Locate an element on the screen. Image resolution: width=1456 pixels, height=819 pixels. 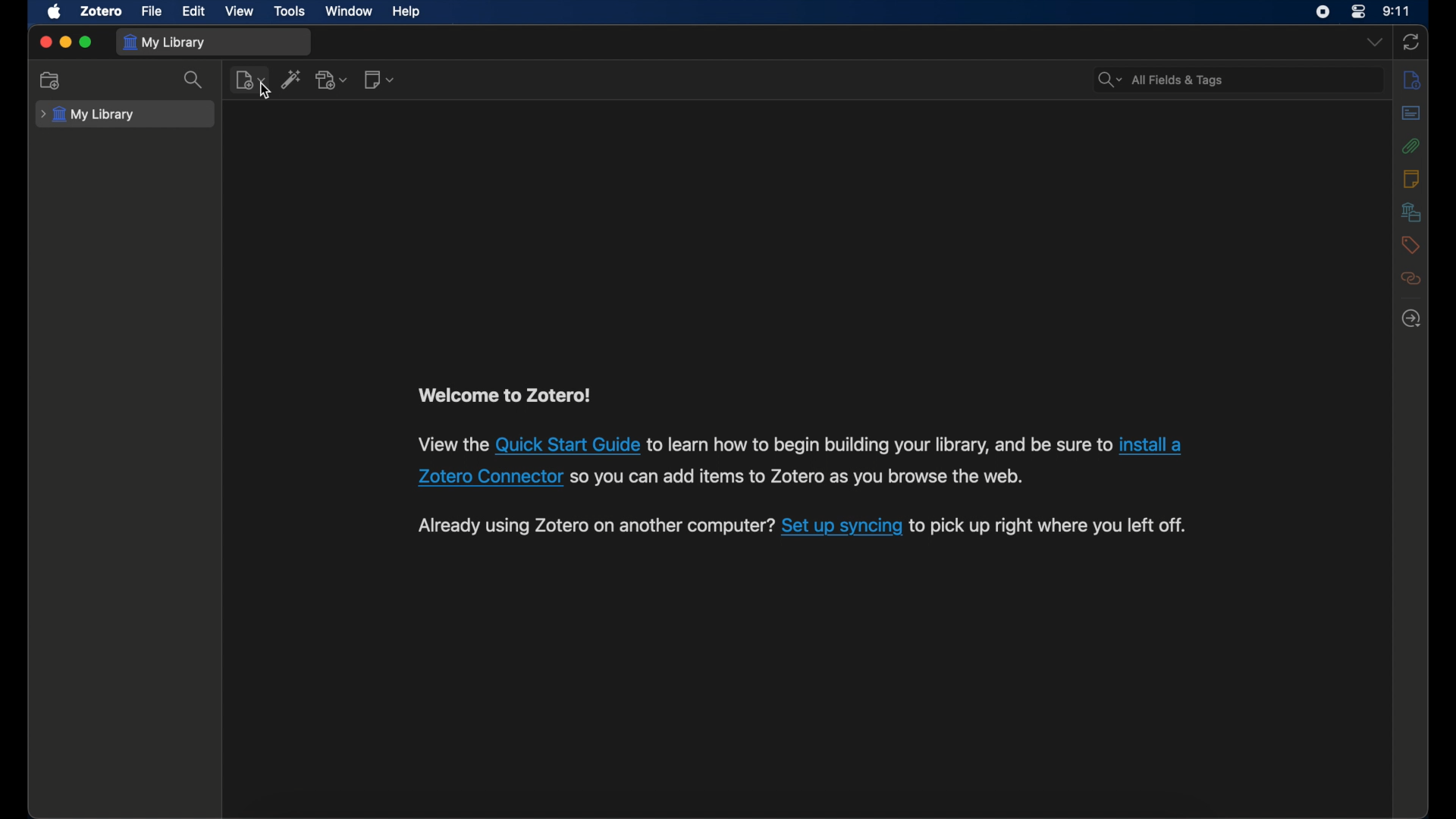
time is located at coordinates (1396, 11).